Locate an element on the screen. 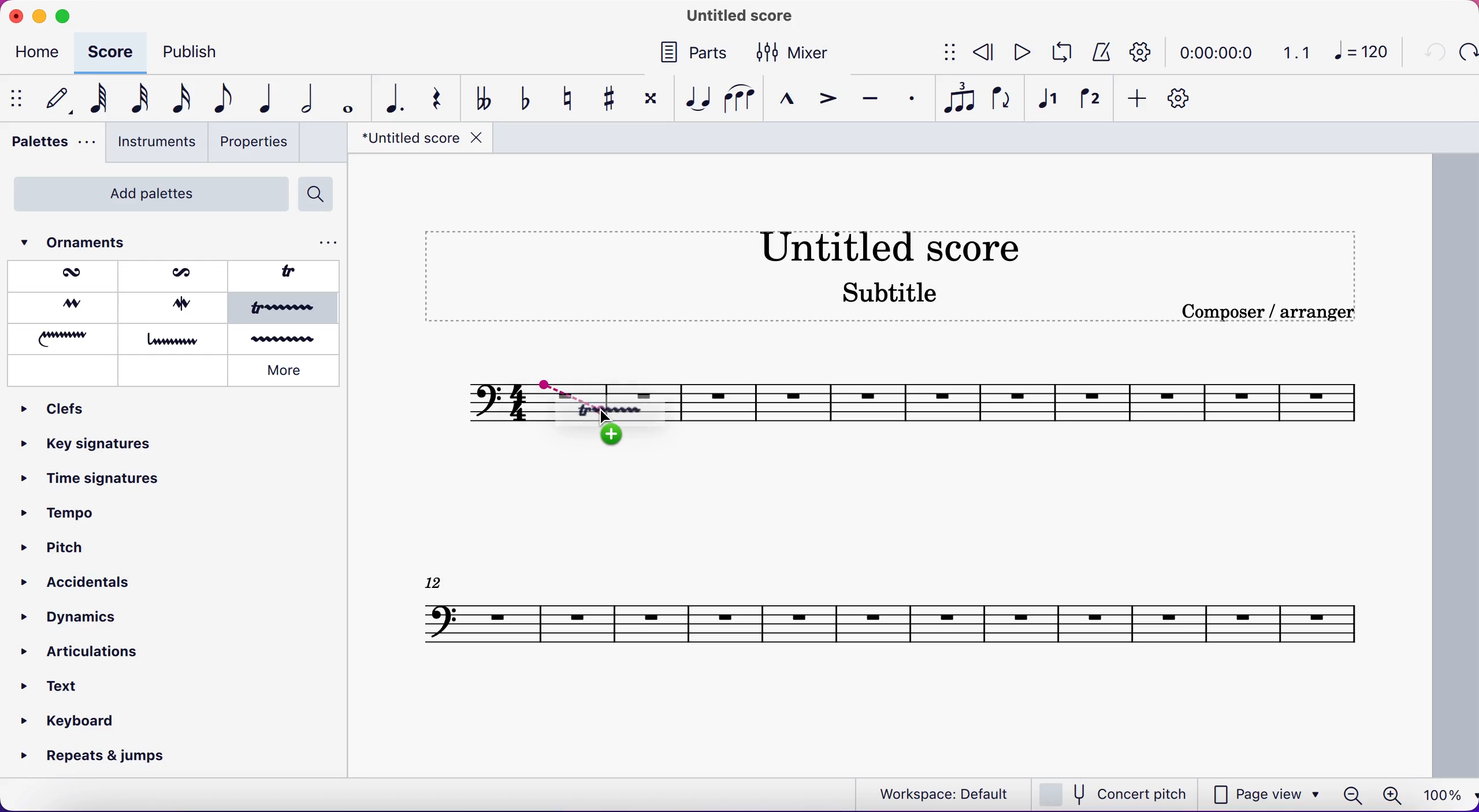 This screenshot has height=812, width=1479. metronome is located at coordinates (1100, 53).